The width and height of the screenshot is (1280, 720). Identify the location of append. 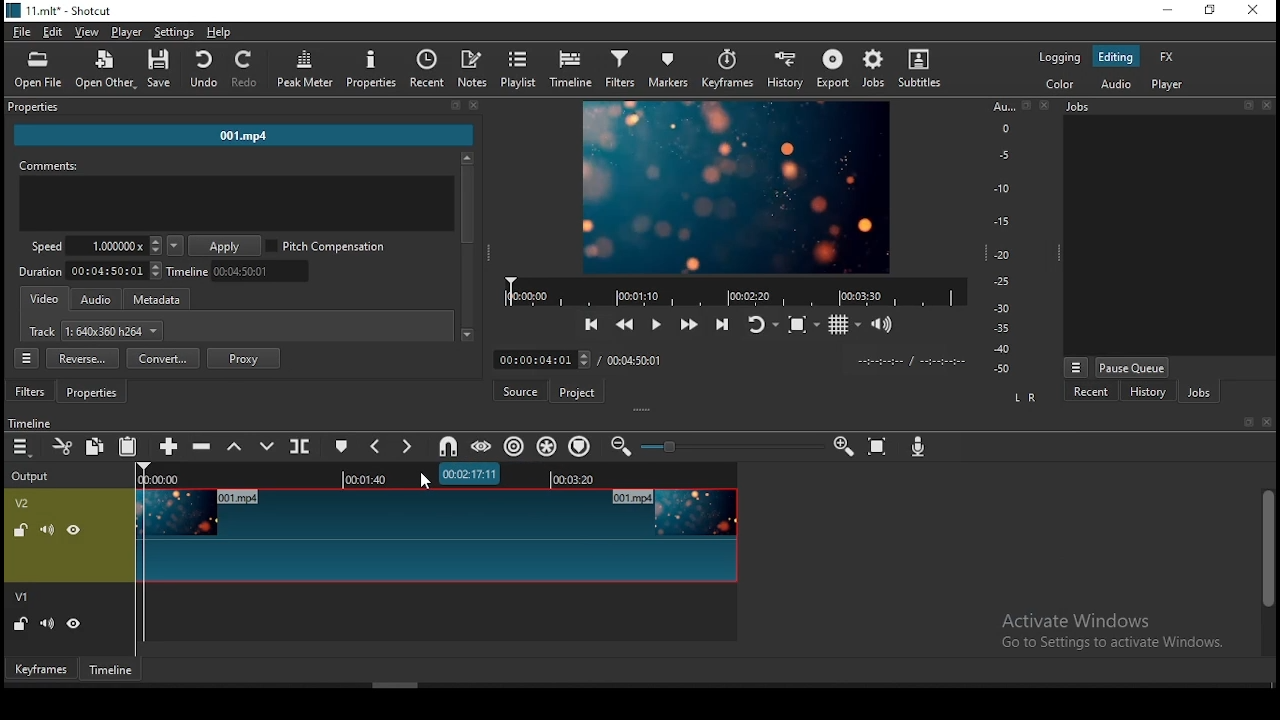
(171, 448).